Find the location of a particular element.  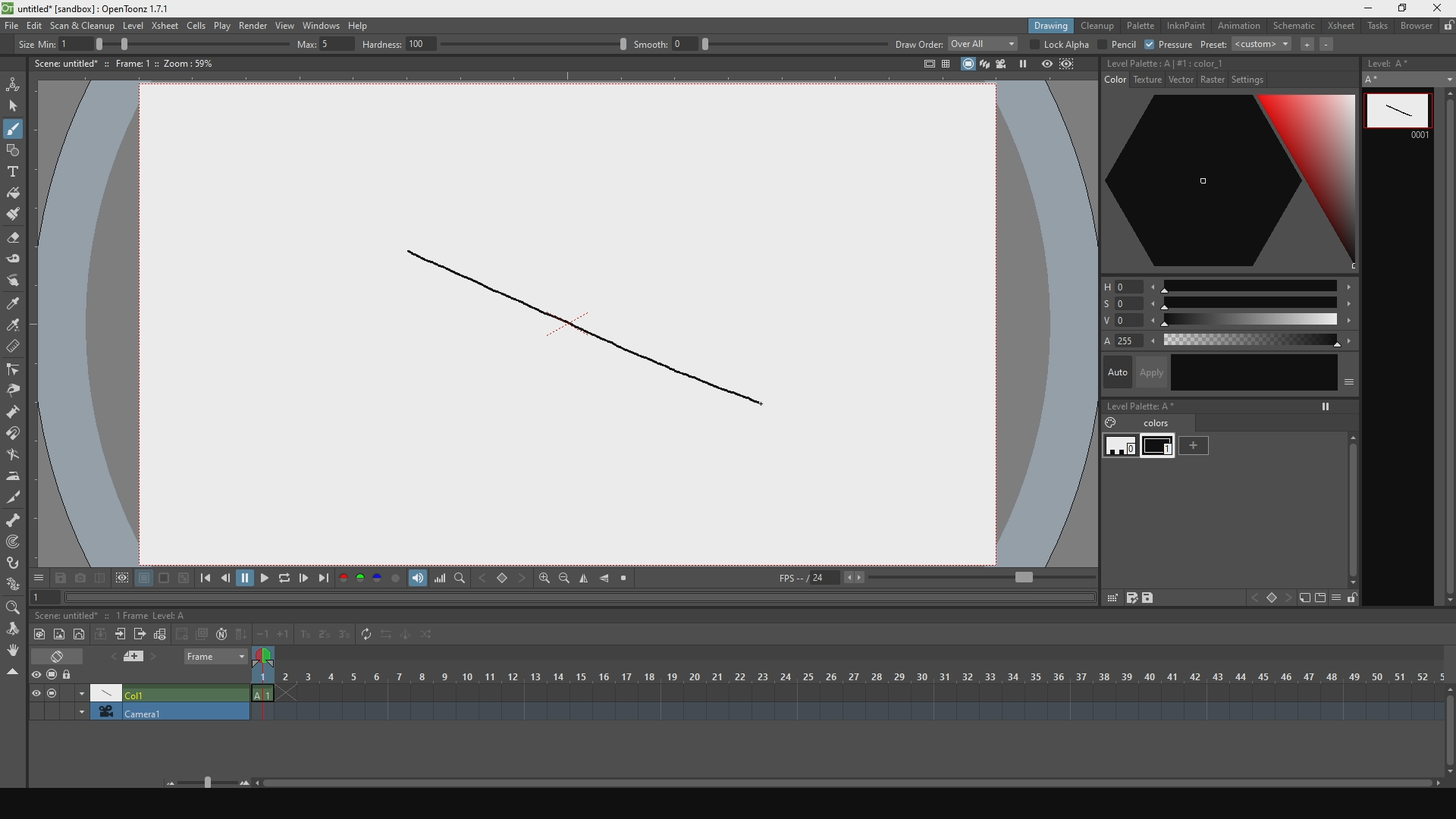

zoom is located at coordinates (14, 608).